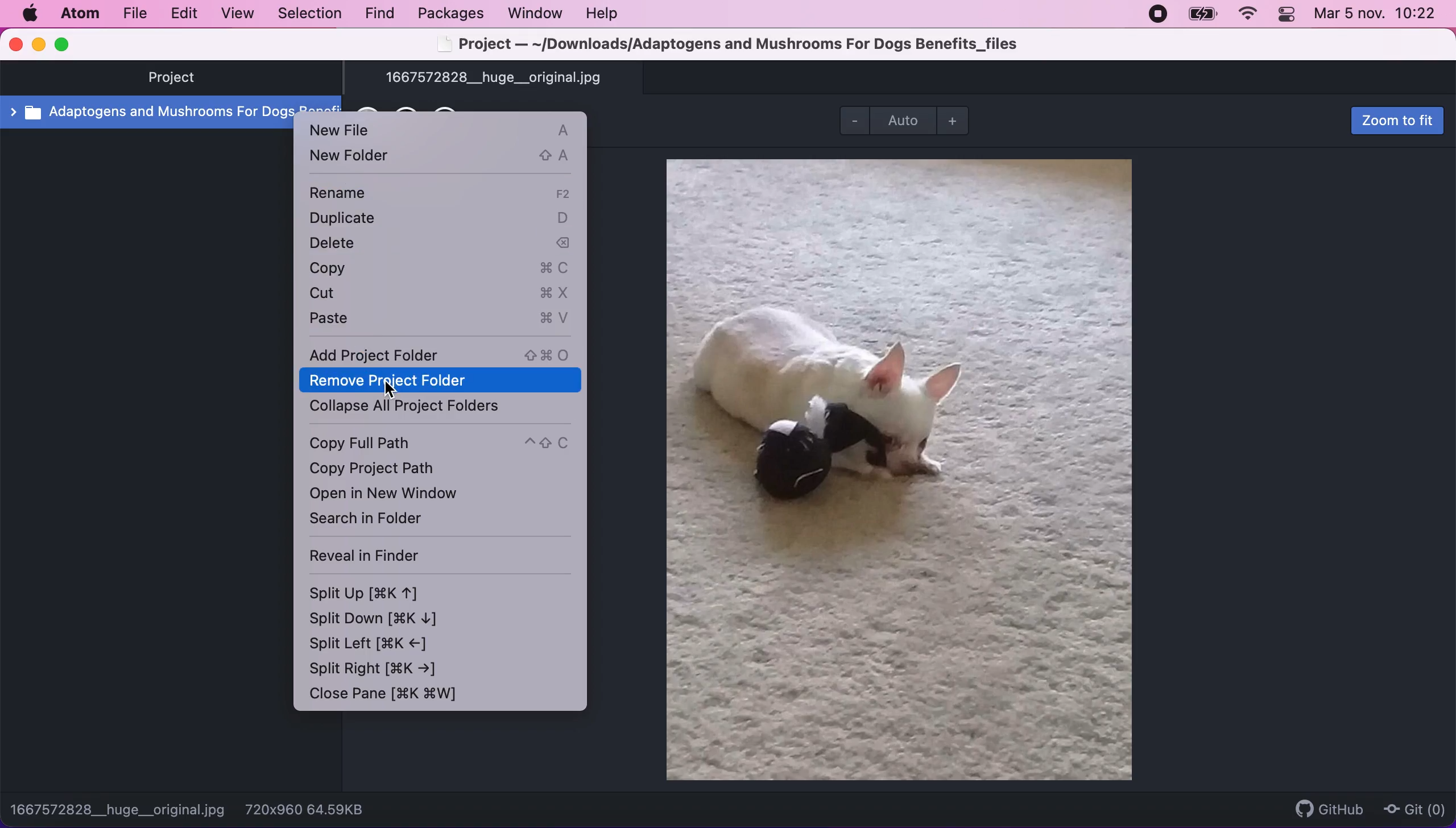 This screenshot has width=1456, height=828. I want to click on maximize, so click(65, 44).